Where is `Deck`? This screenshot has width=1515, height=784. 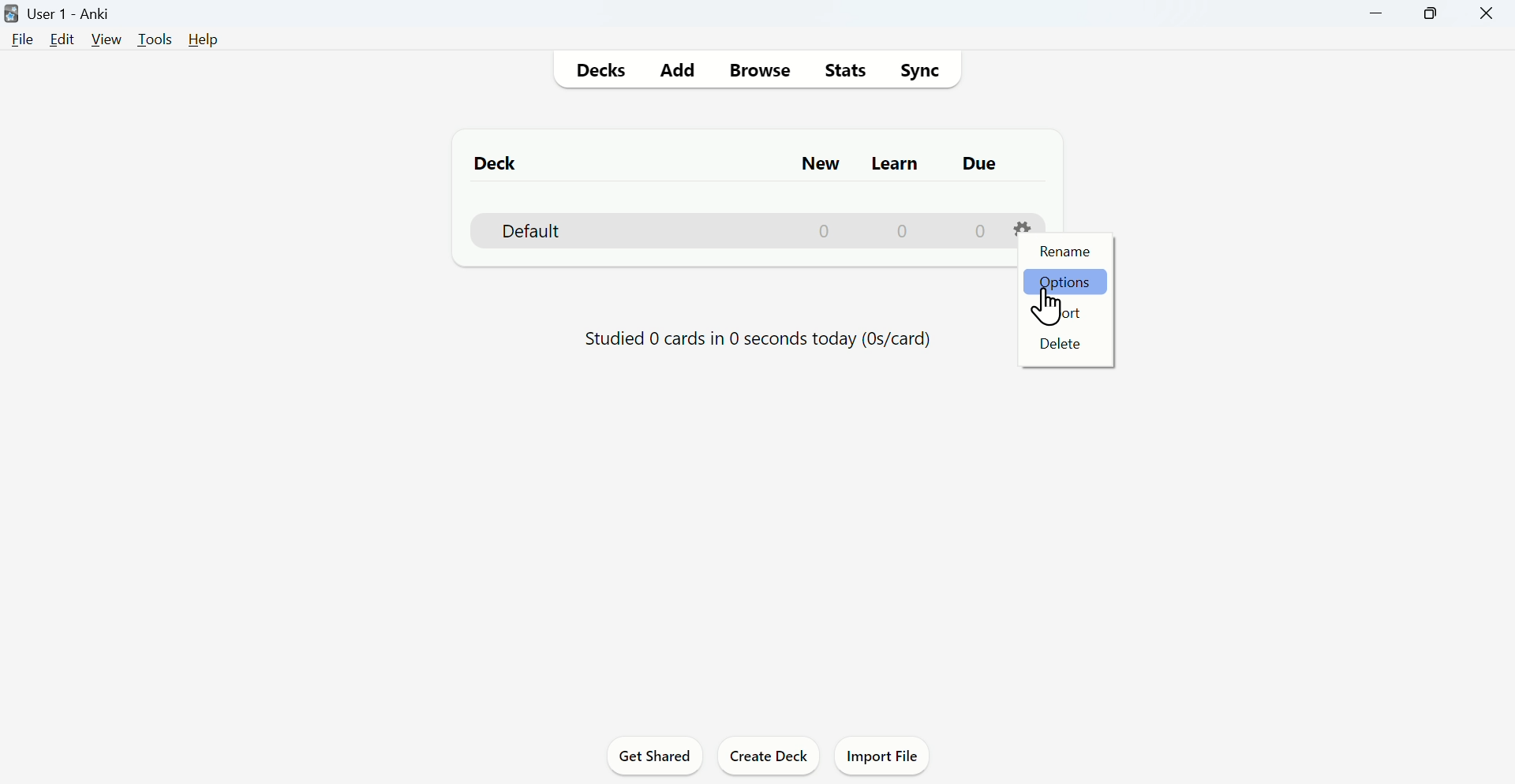
Deck is located at coordinates (498, 162).